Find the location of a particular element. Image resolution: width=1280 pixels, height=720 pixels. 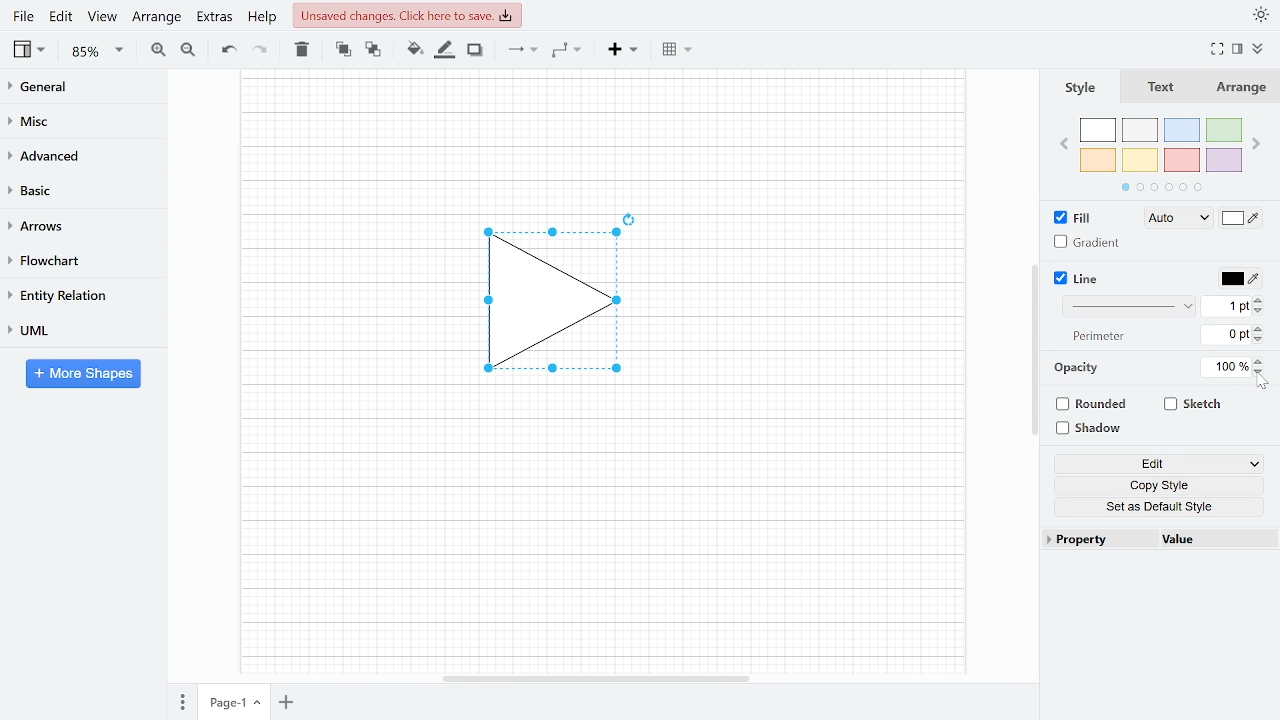

More shapes is located at coordinates (83, 373).